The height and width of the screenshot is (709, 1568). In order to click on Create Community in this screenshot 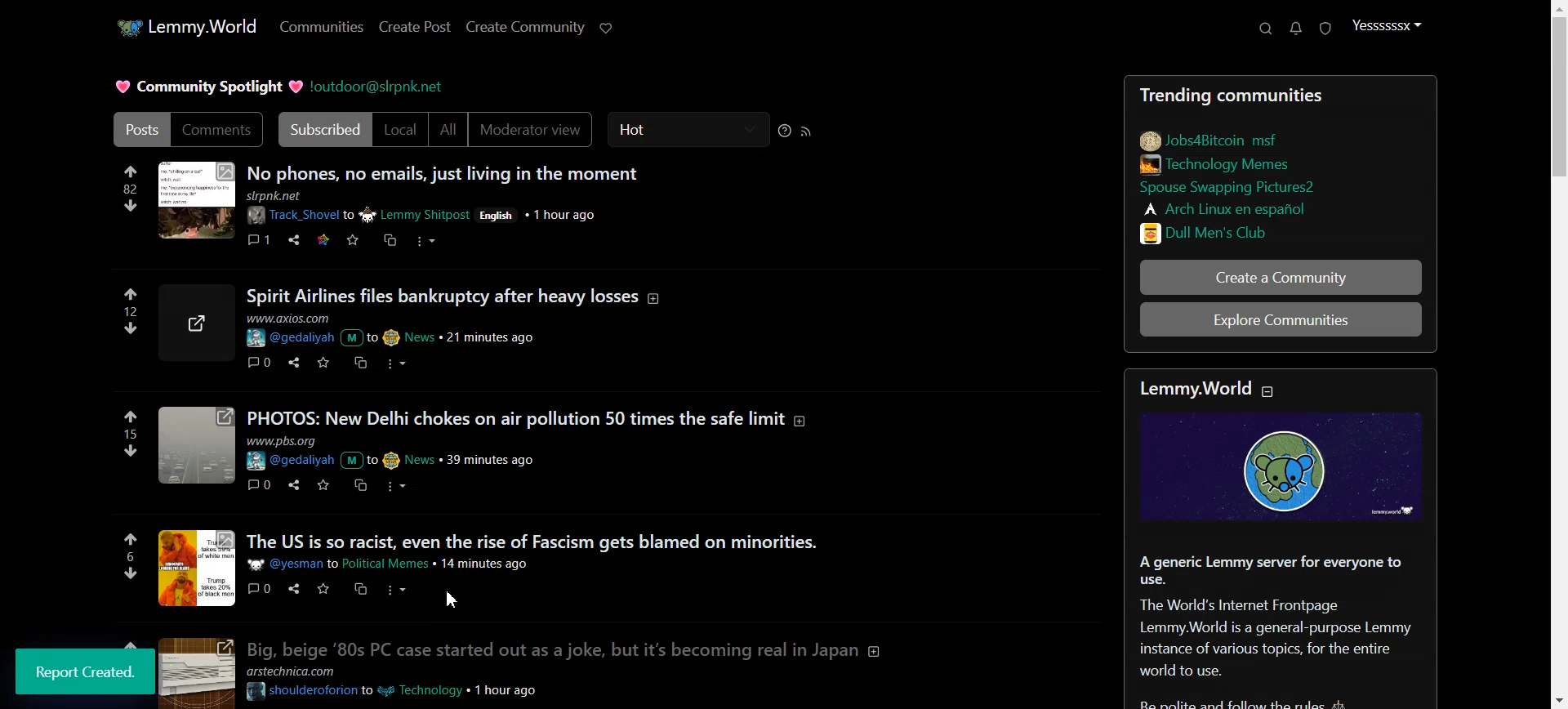, I will do `click(526, 27)`.